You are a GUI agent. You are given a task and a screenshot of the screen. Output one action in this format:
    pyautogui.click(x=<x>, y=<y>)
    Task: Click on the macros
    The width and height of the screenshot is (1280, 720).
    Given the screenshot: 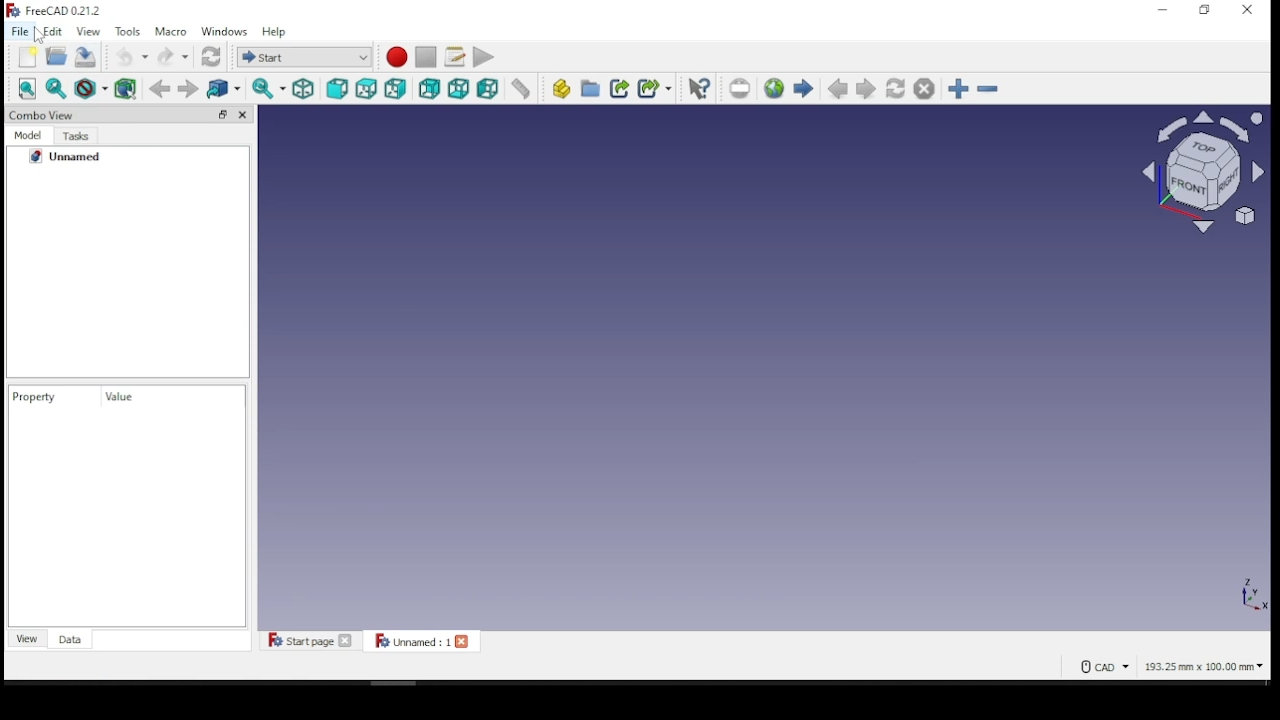 What is the action you would take?
    pyautogui.click(x=454, y=56)
    